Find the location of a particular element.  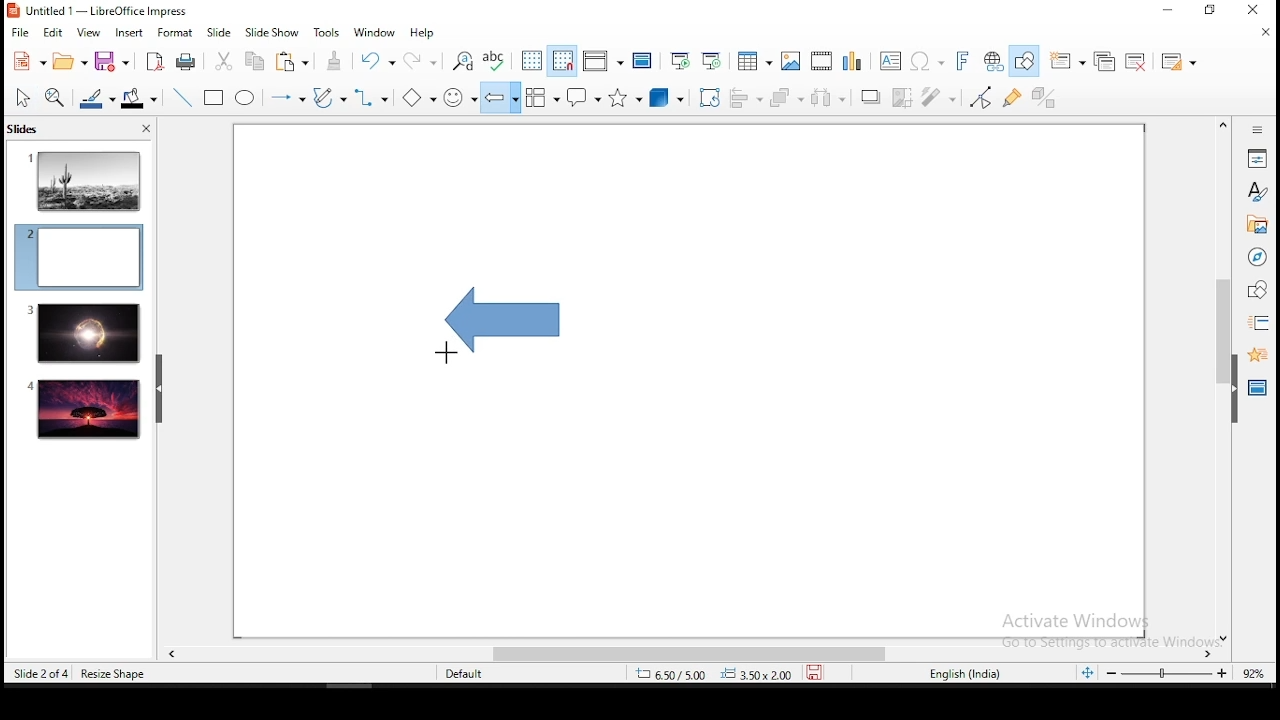

line is located at coordinates (180, 98).